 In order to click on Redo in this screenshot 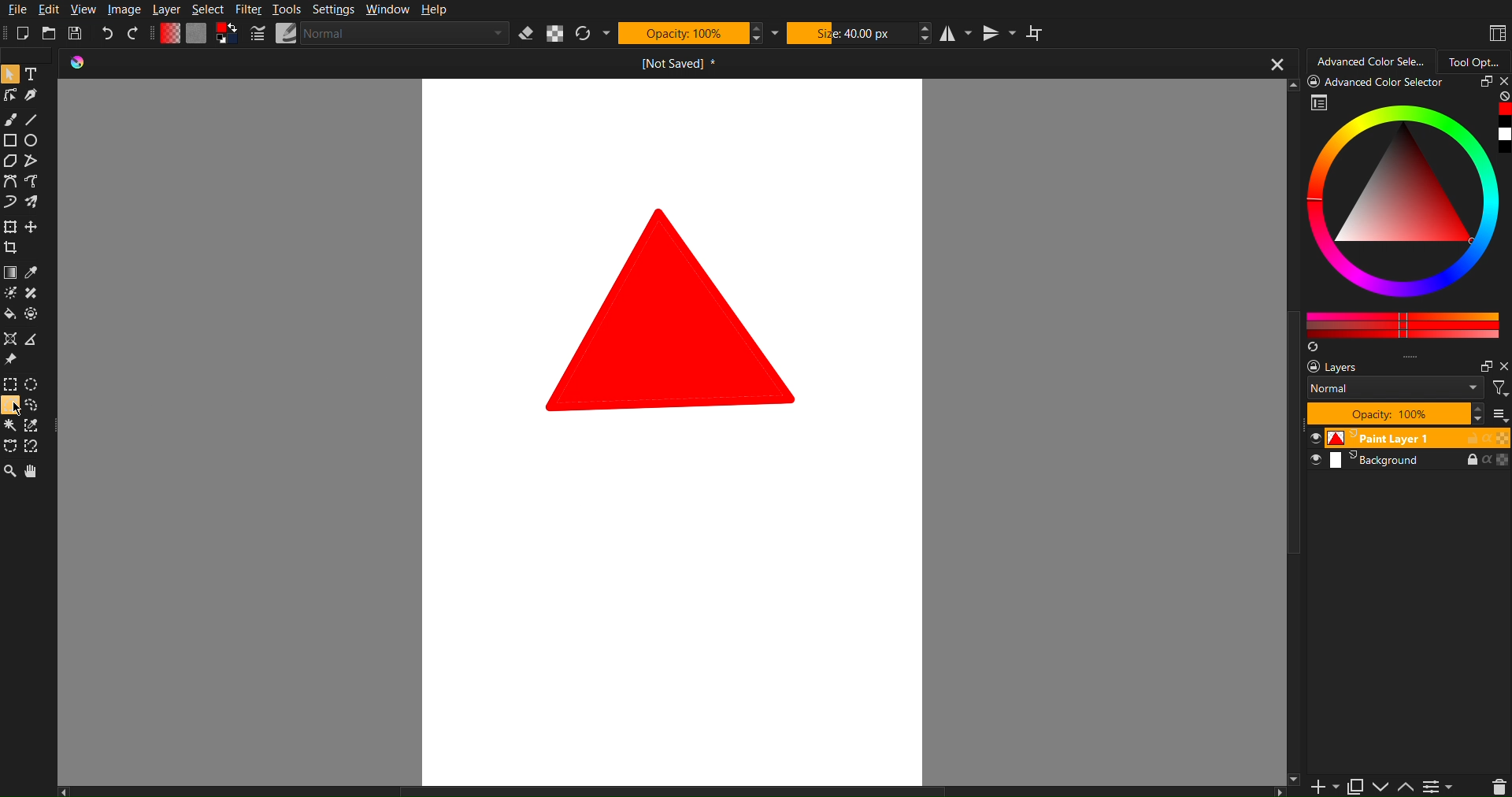, I will do `click(138, 33)`.